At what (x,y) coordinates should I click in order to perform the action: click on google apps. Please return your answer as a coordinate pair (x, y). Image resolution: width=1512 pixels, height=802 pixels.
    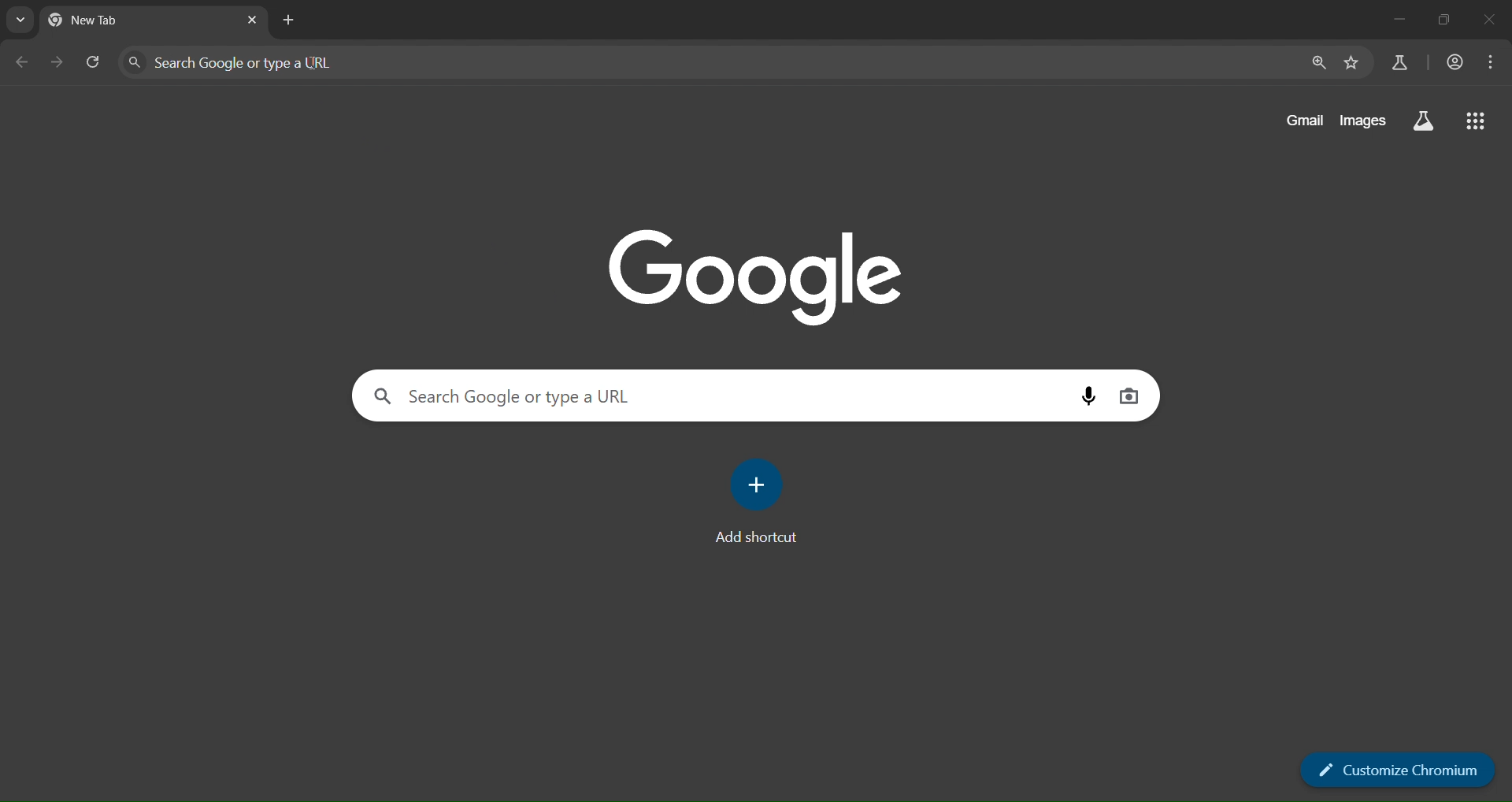
    Looking at the image, I should click on (1425, 123).